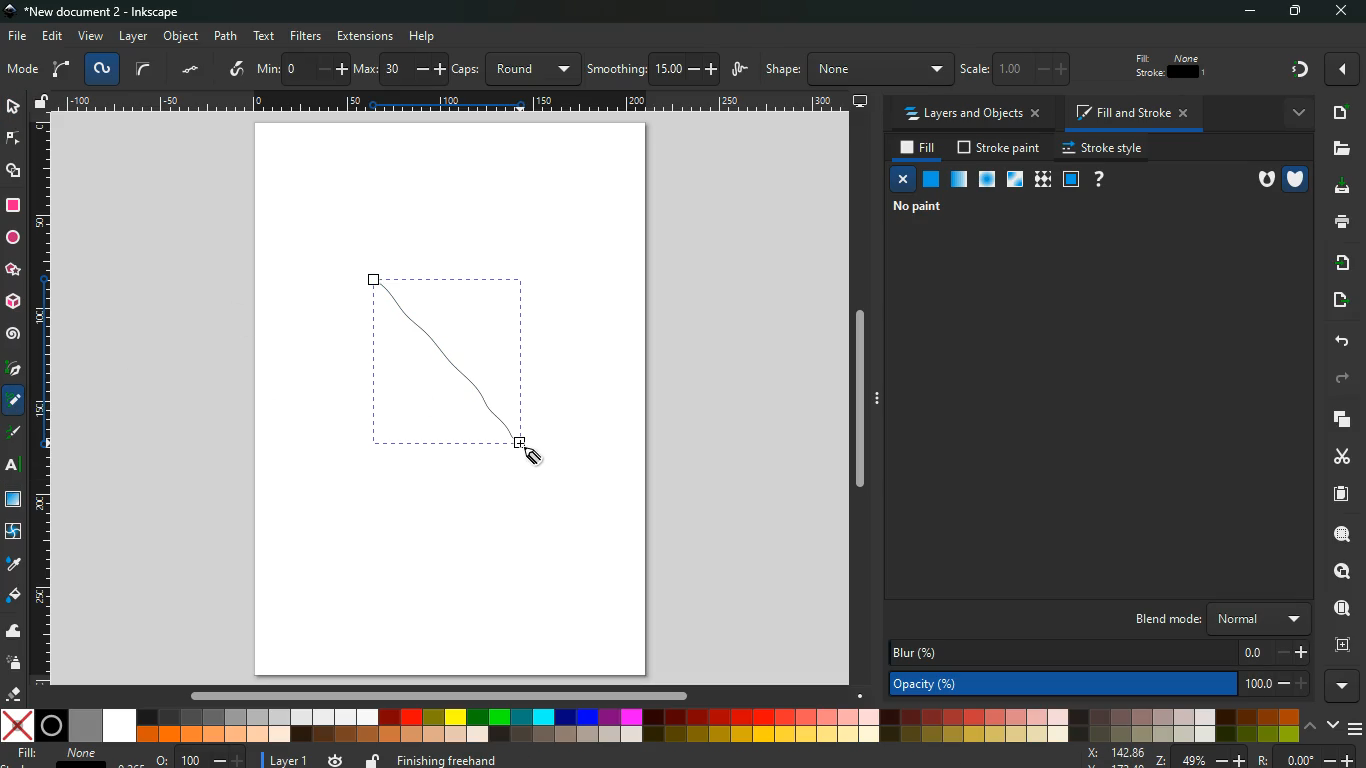 The image size is (1366, 768). What do you see at coordinates (102, 70) in the screenshot?
I see `spyro path` at bounding box center [102, 70].